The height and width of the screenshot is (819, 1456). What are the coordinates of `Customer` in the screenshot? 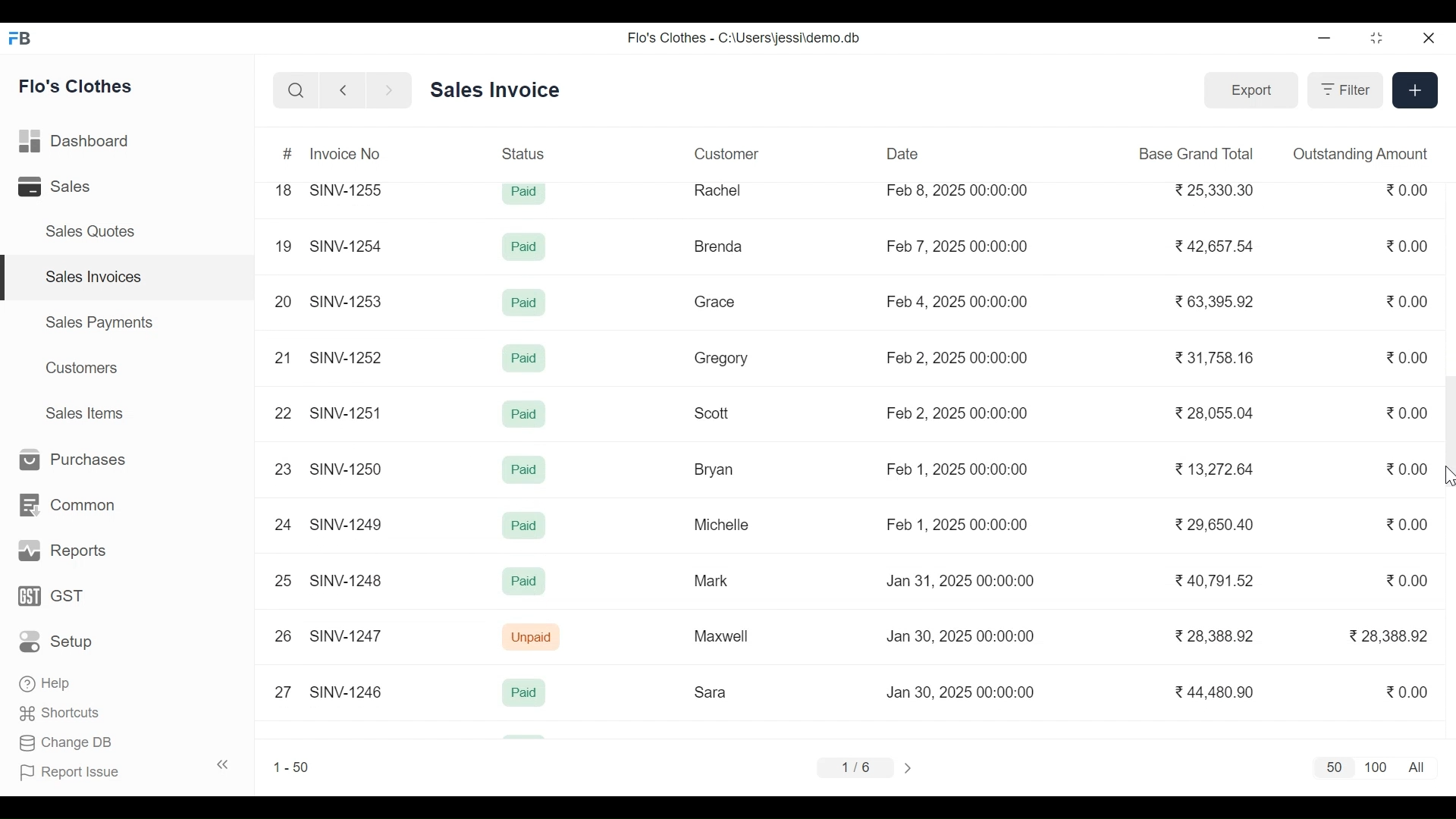 It's located at (726, 153).